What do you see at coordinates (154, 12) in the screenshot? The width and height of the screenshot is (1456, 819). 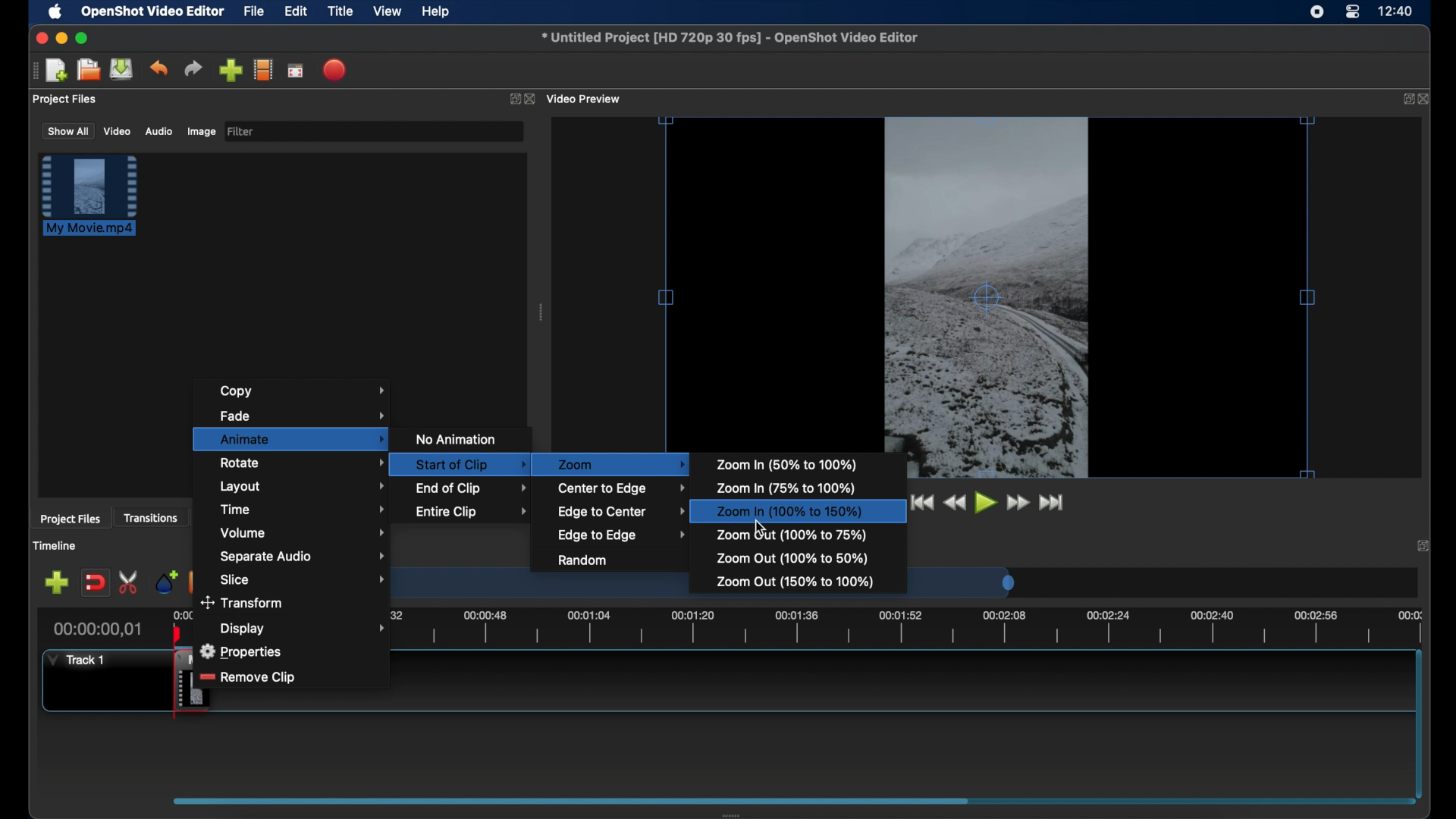 I see `openshot video editor` at bounding box center [154, 12].